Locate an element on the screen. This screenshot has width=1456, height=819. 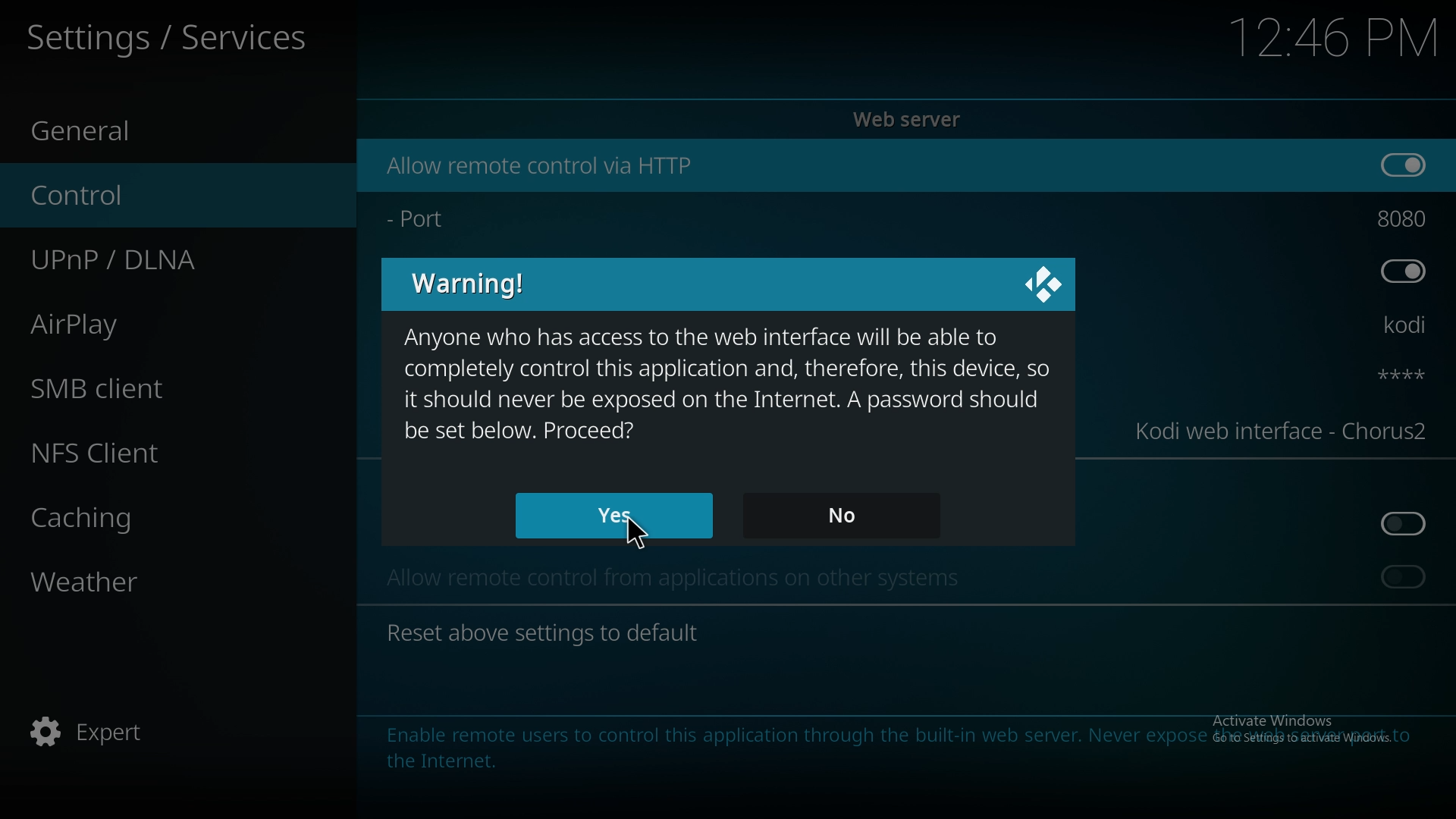
caching is located at coordinates (139, 518).